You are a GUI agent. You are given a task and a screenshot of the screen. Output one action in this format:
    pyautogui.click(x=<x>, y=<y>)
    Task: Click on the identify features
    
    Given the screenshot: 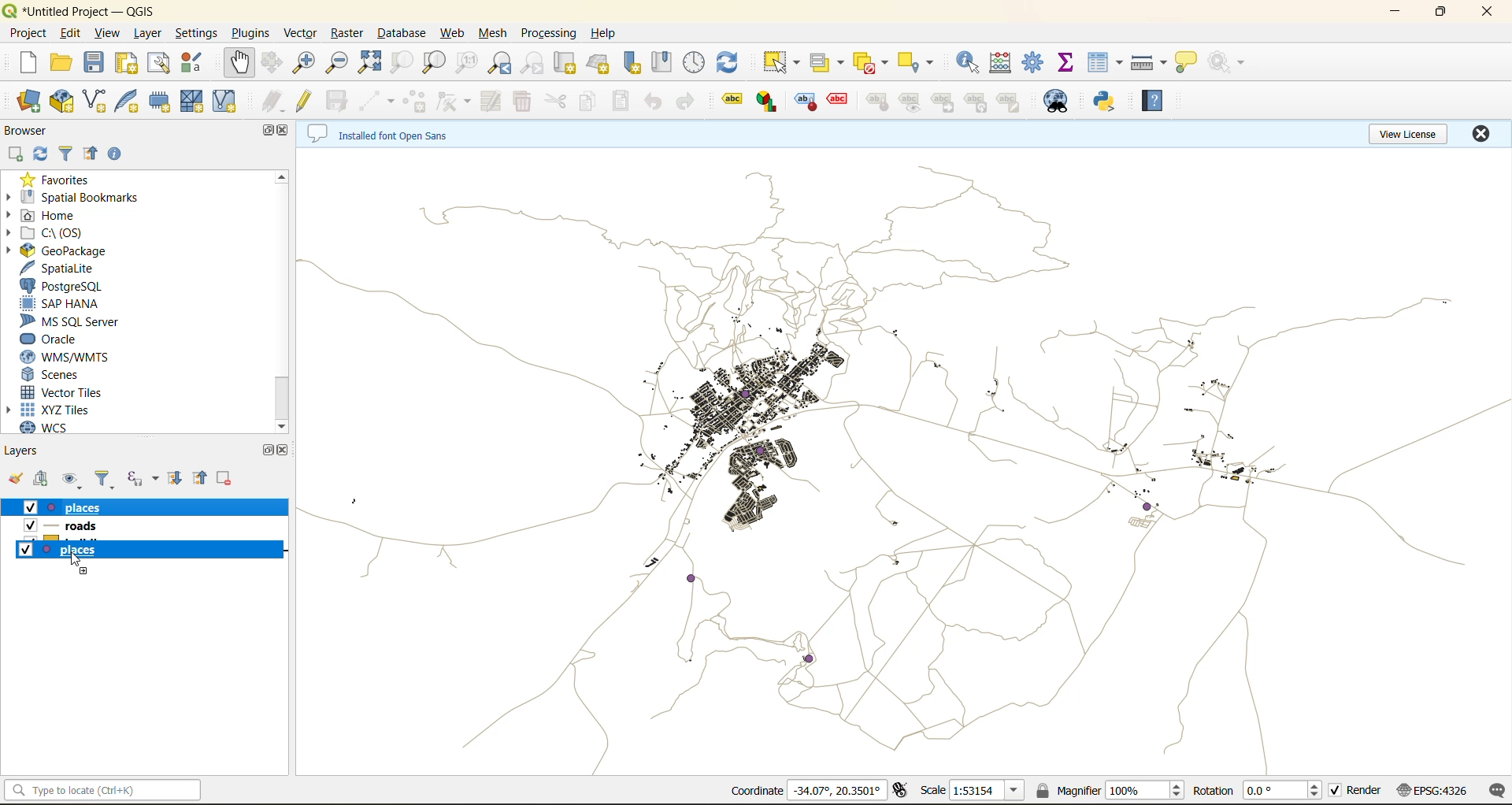 What is the action you would take?
    pyautogui.click(x=972, y=63)
    